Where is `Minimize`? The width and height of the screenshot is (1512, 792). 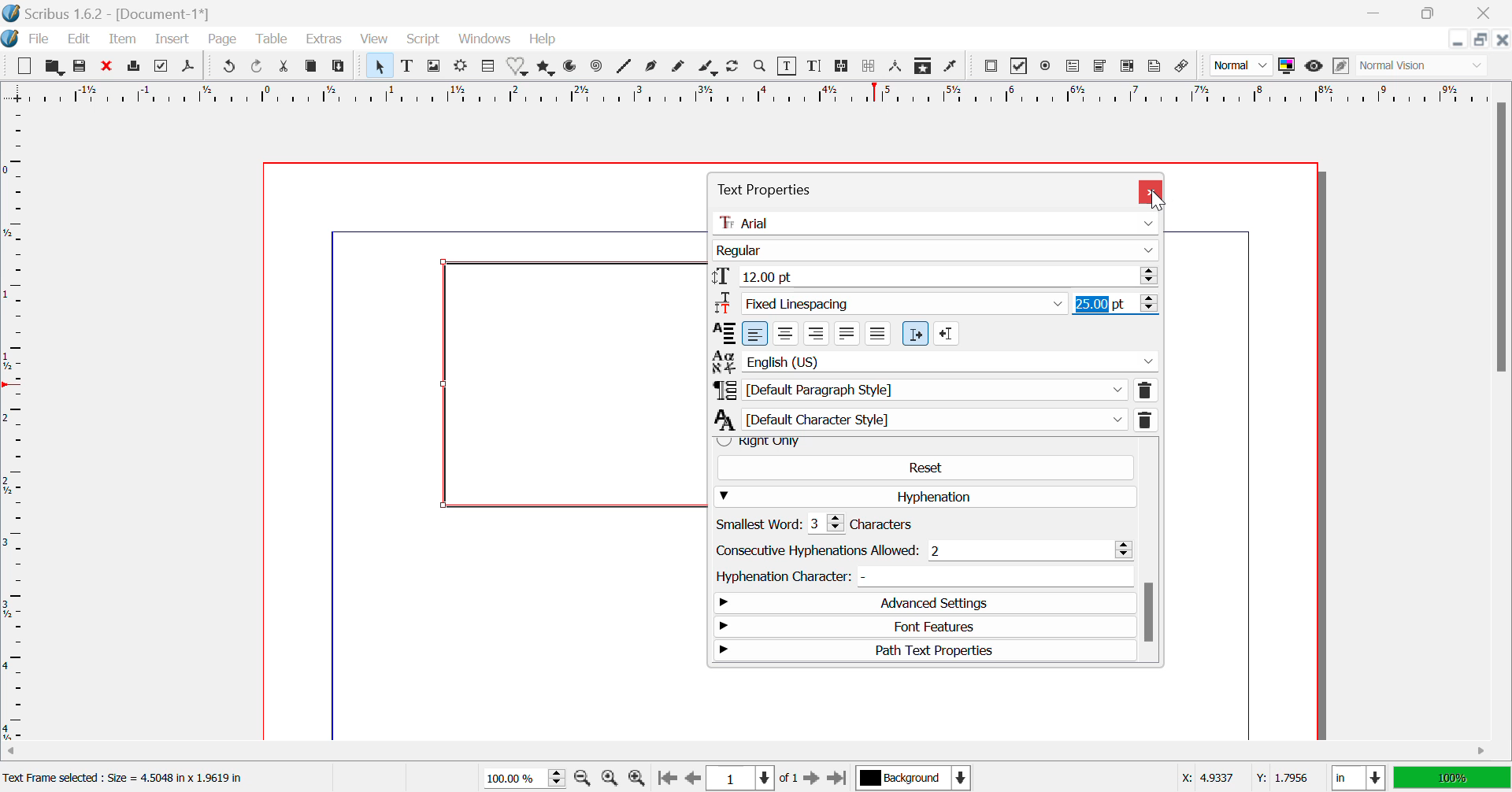 Minimize is located at coordinates (1429, 12).